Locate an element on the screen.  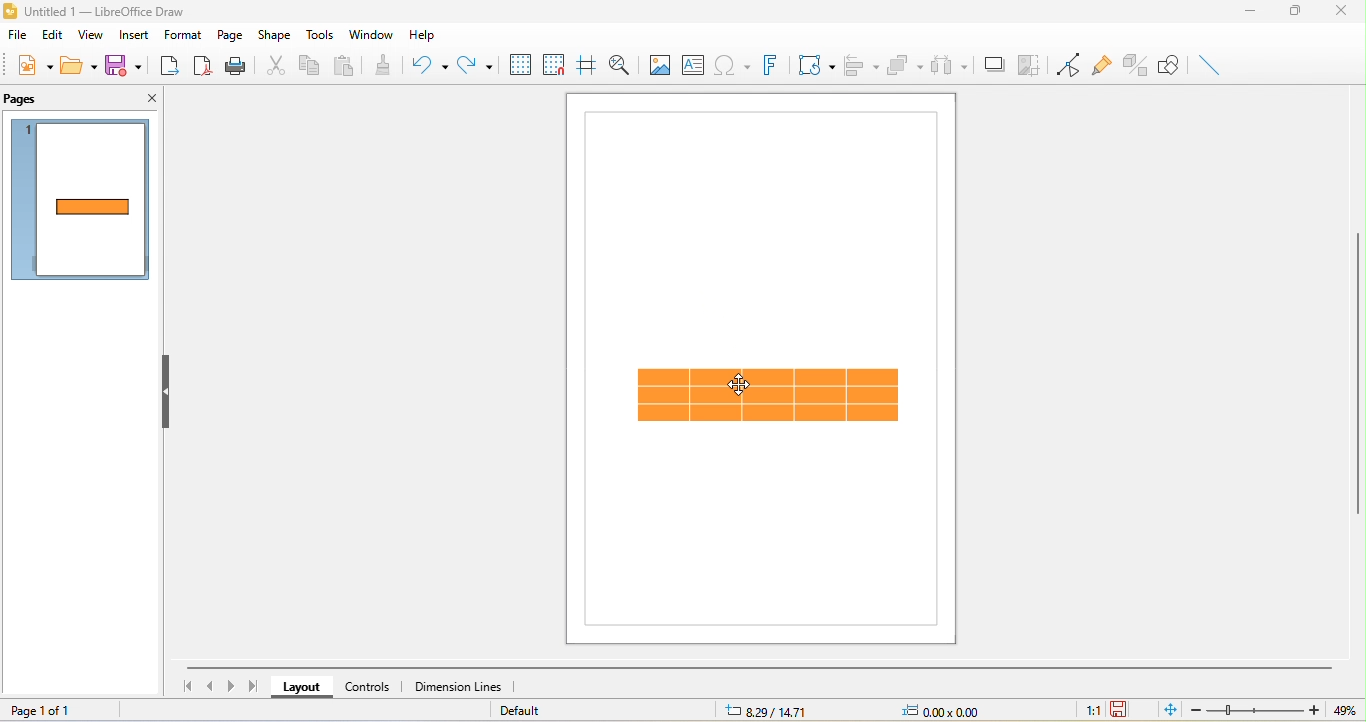
0.00x0.00 is located at coordinates (956, 711).